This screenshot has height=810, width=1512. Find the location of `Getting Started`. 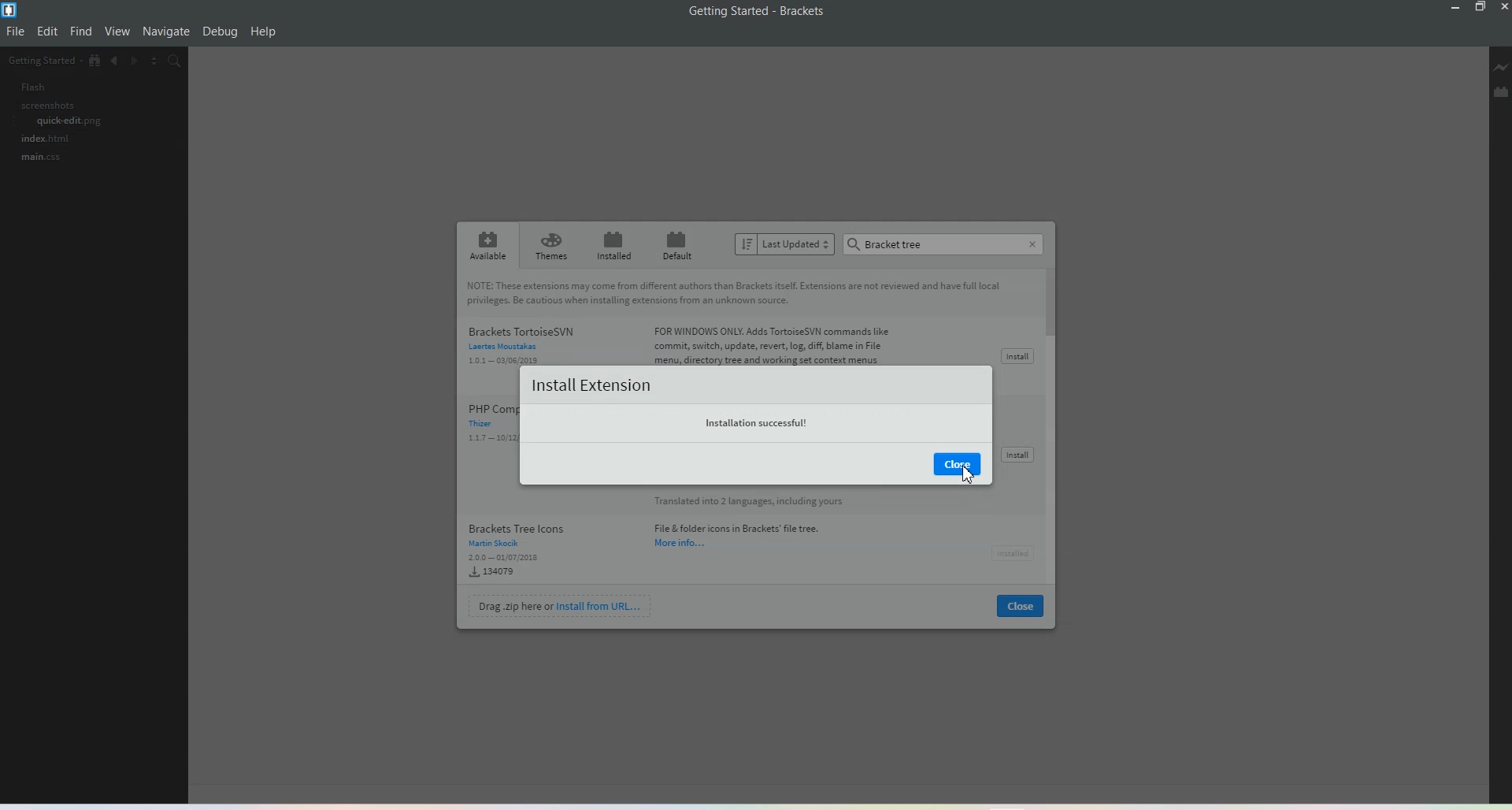

Getting Started is located at coordinates (43, 61).